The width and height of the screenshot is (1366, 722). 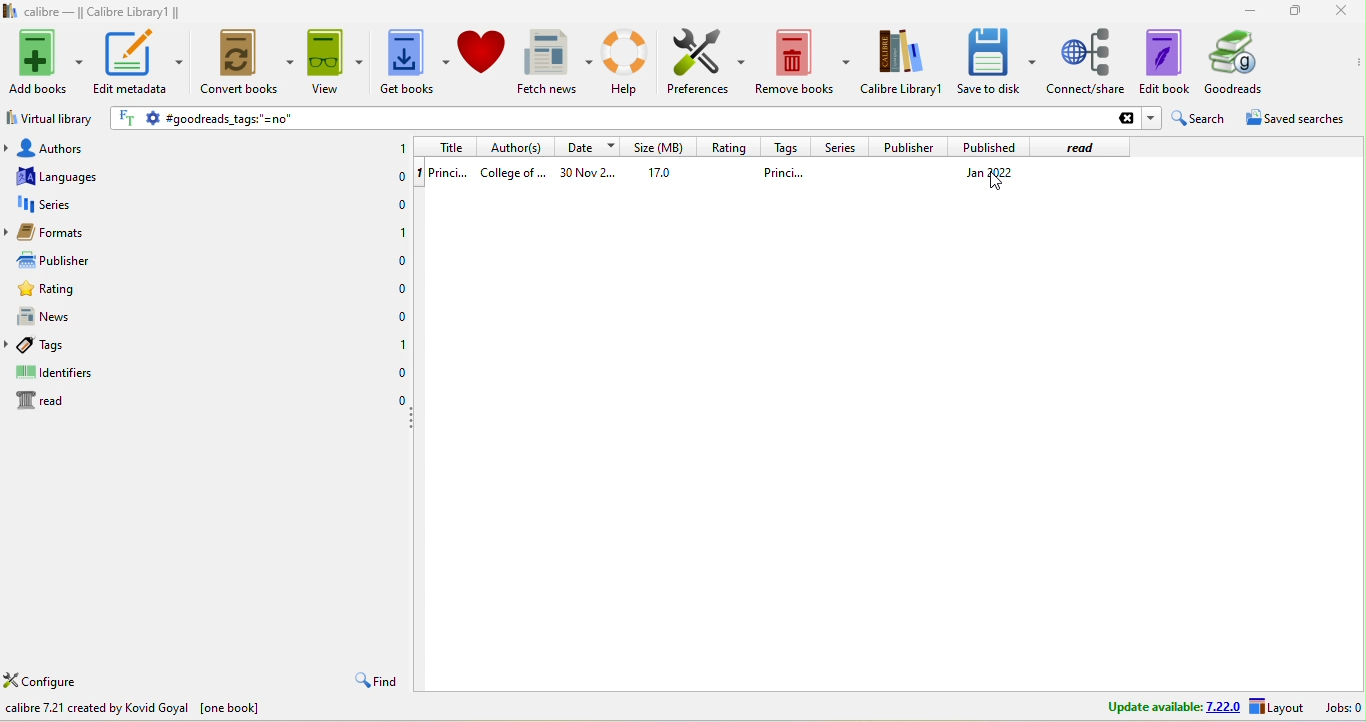 I want to click on college of, so click(x=514, y=173).